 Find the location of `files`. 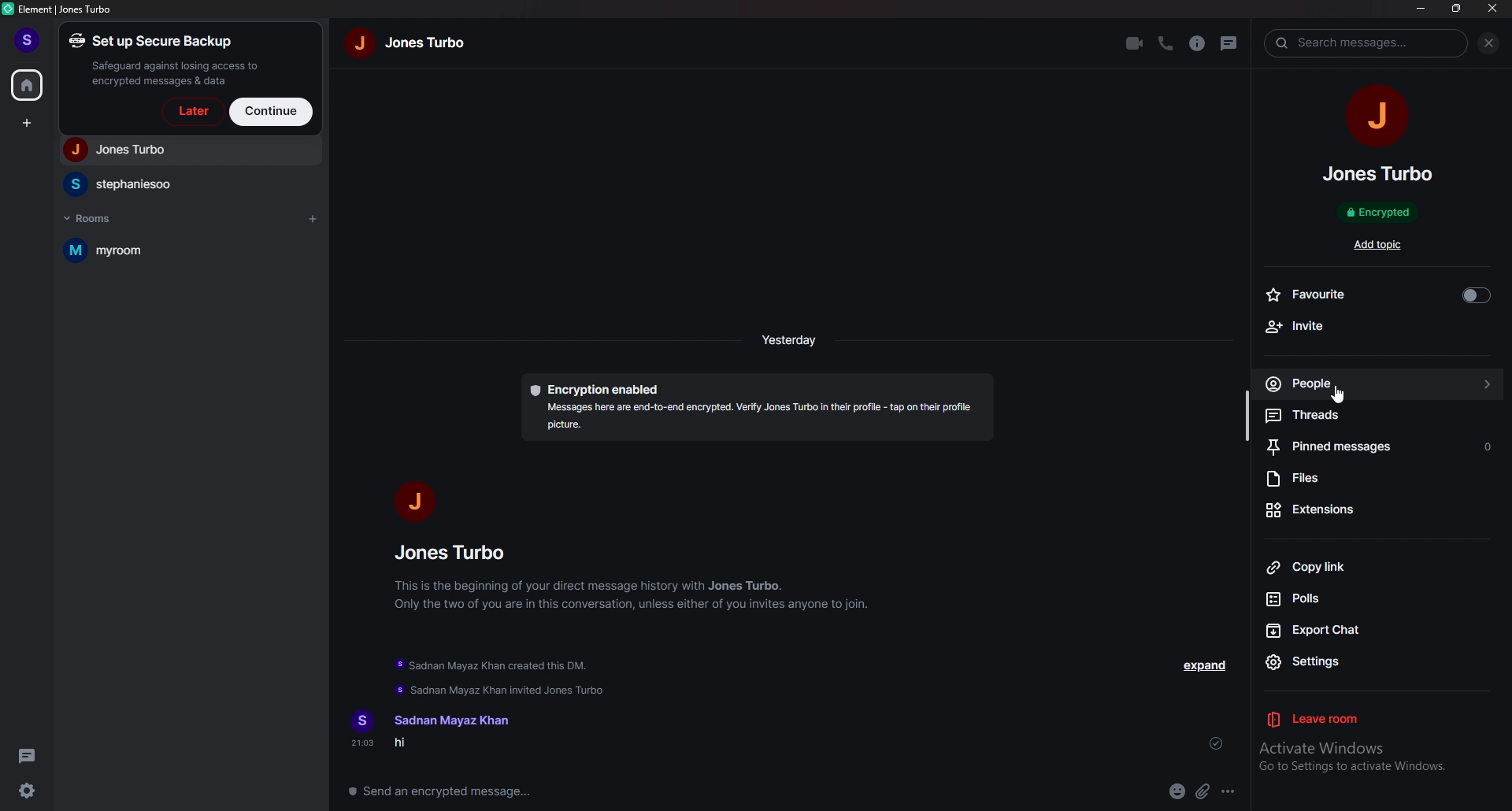

files is located at coordinates (1375, 477).